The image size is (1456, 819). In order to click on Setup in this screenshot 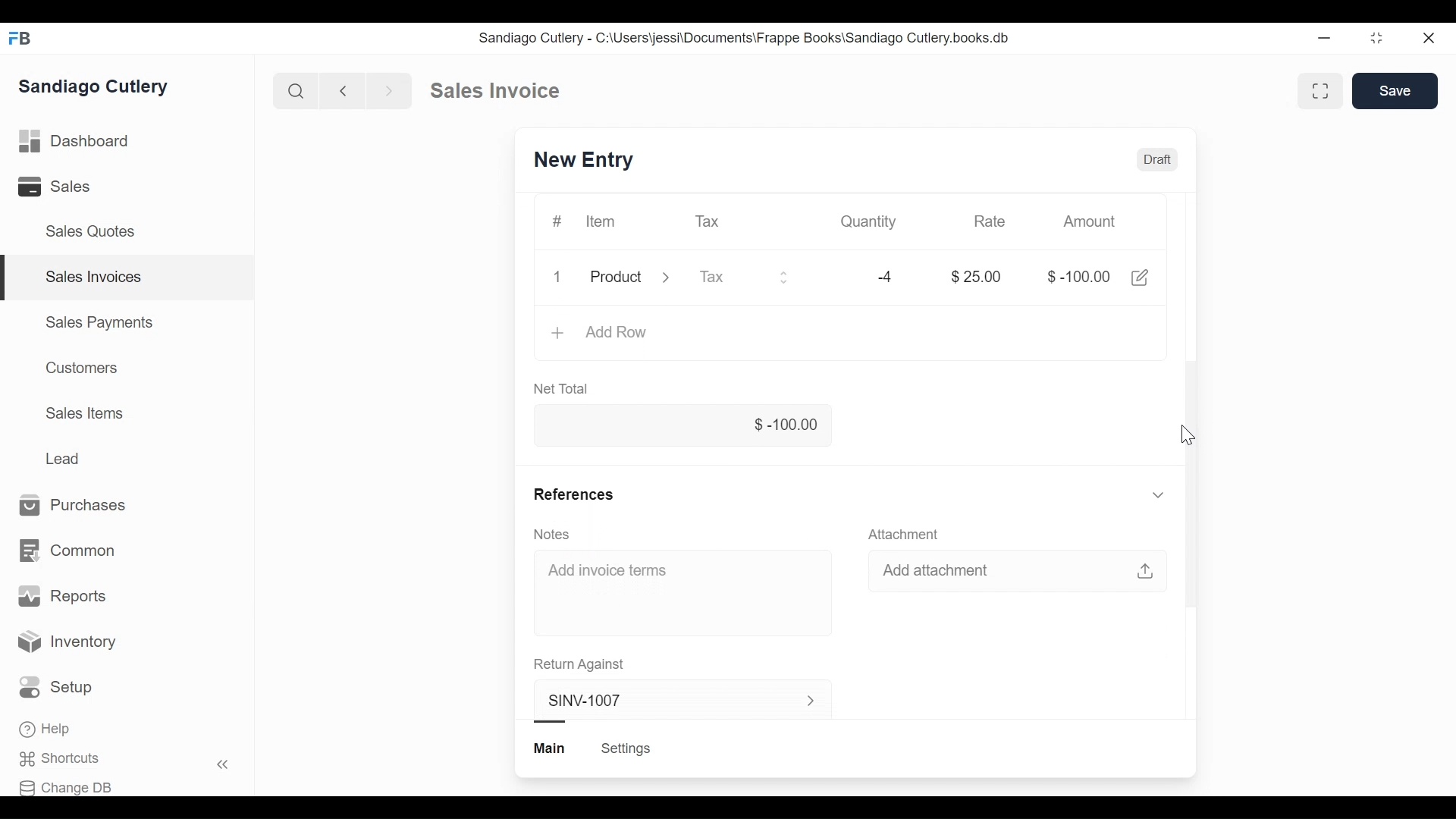, I will do `click(56, 687)`.